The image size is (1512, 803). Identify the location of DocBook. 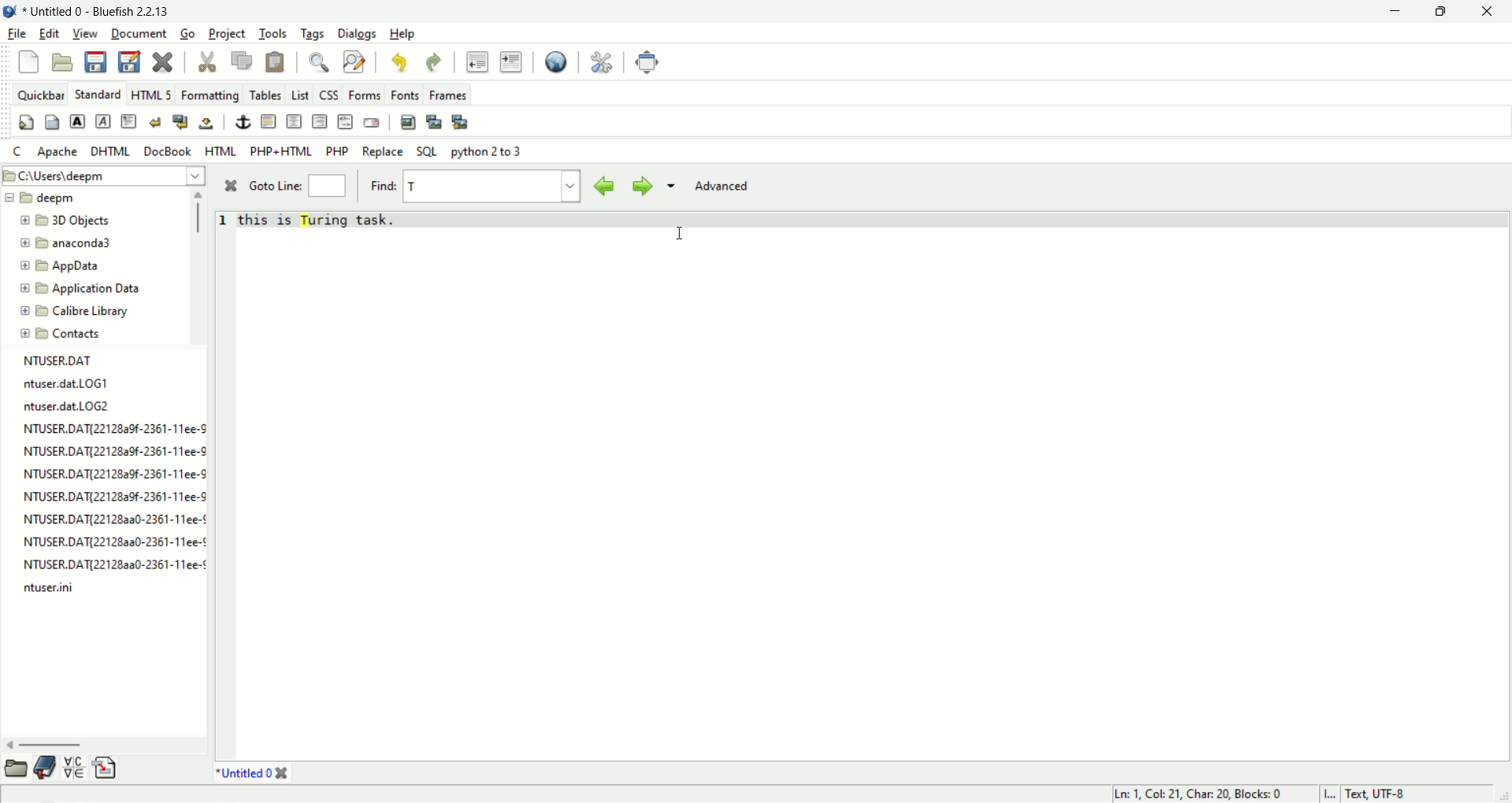
(167, 151).